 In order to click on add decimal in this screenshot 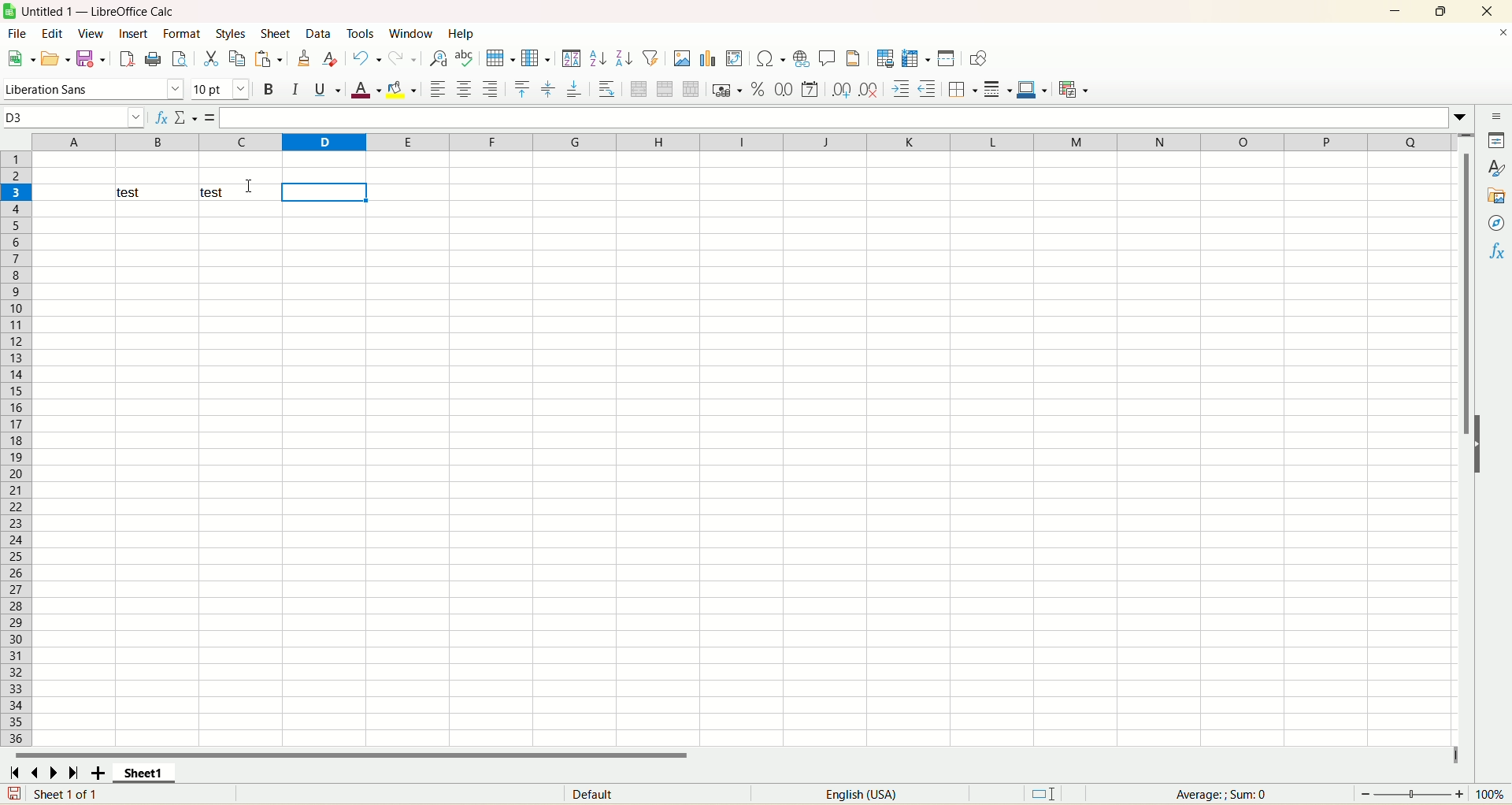, I will do `click(842, 90)`.